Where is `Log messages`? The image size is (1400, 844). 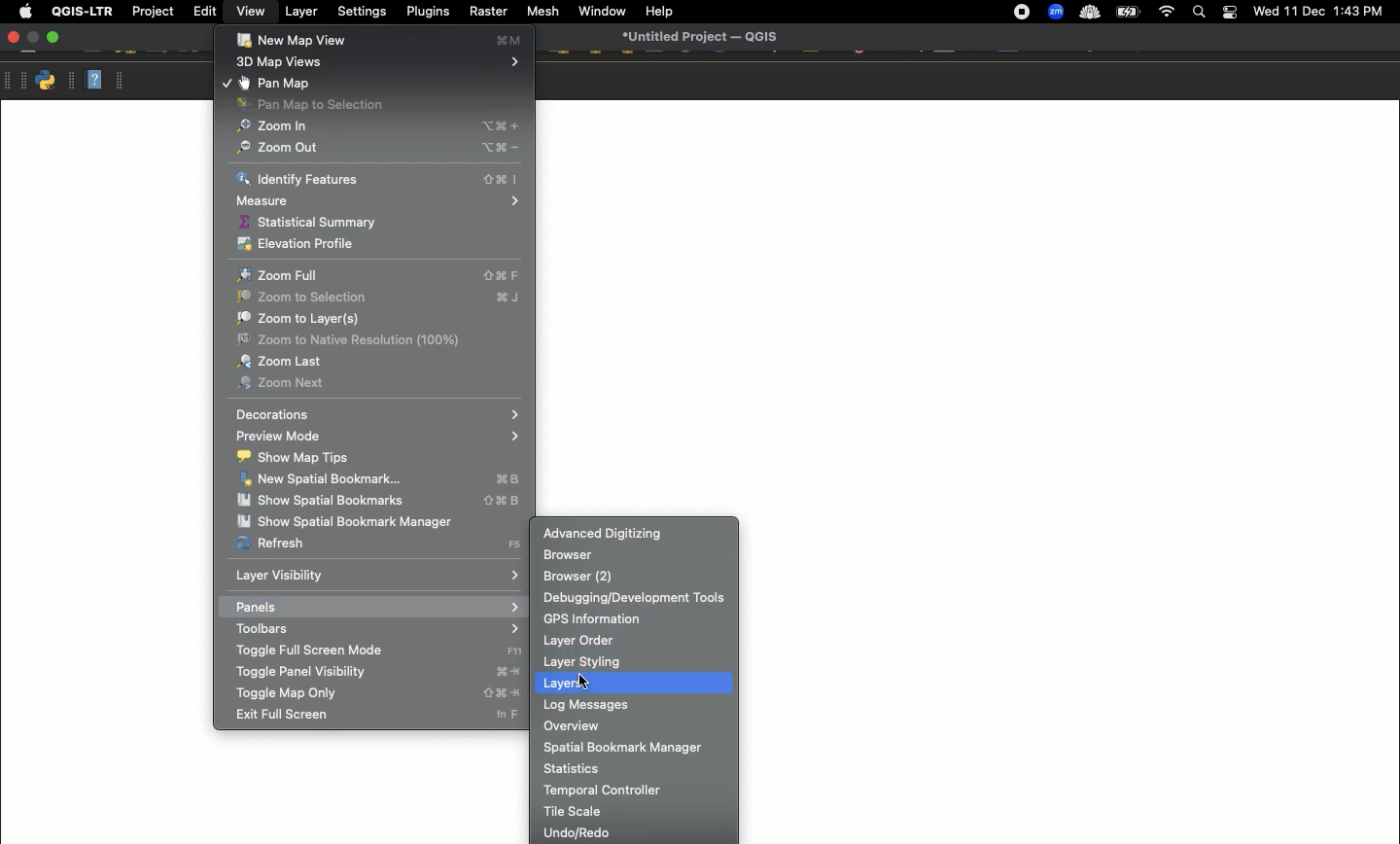
Log messages is located at coordinates (635, 705).